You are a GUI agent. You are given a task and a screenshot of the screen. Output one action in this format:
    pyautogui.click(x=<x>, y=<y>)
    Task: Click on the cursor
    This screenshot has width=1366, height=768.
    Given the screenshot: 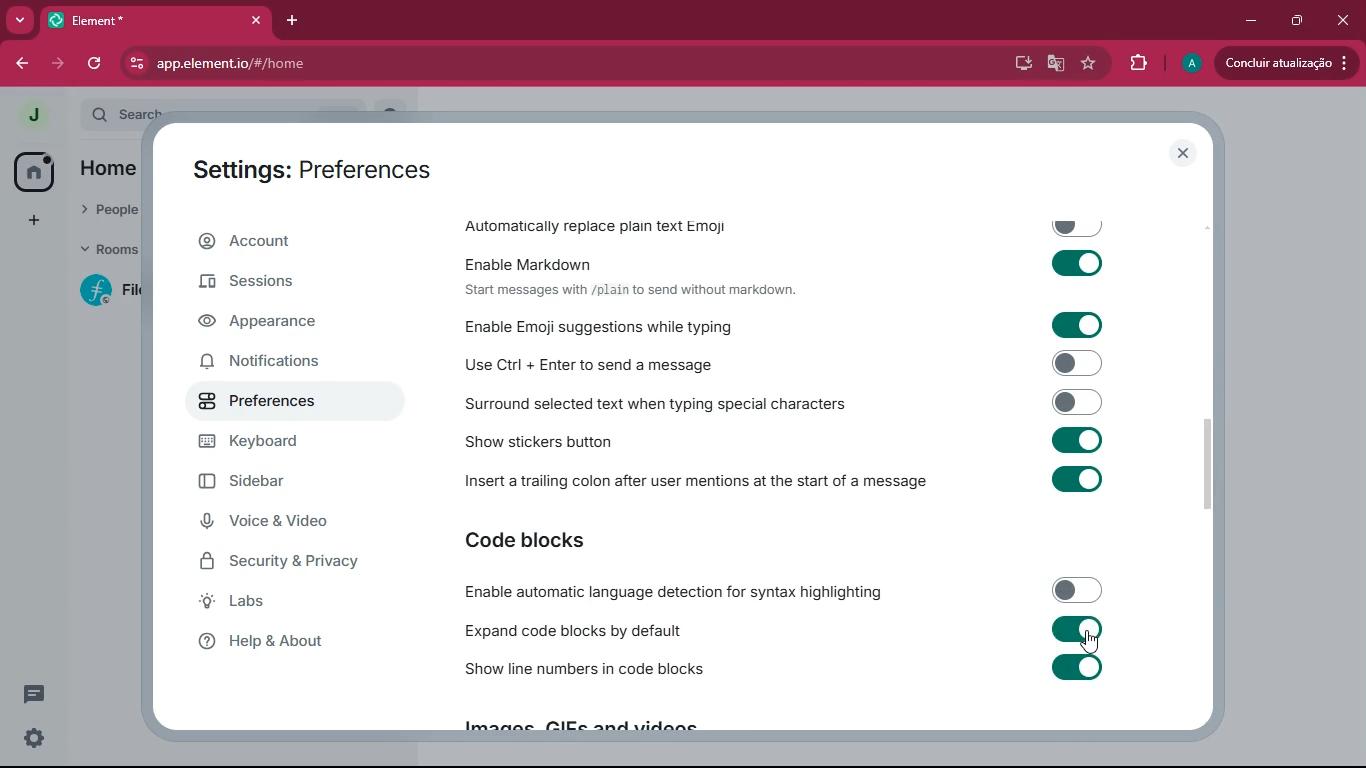 What is the action you would take?
    pyautogui.click(x=1088, y=642)
    